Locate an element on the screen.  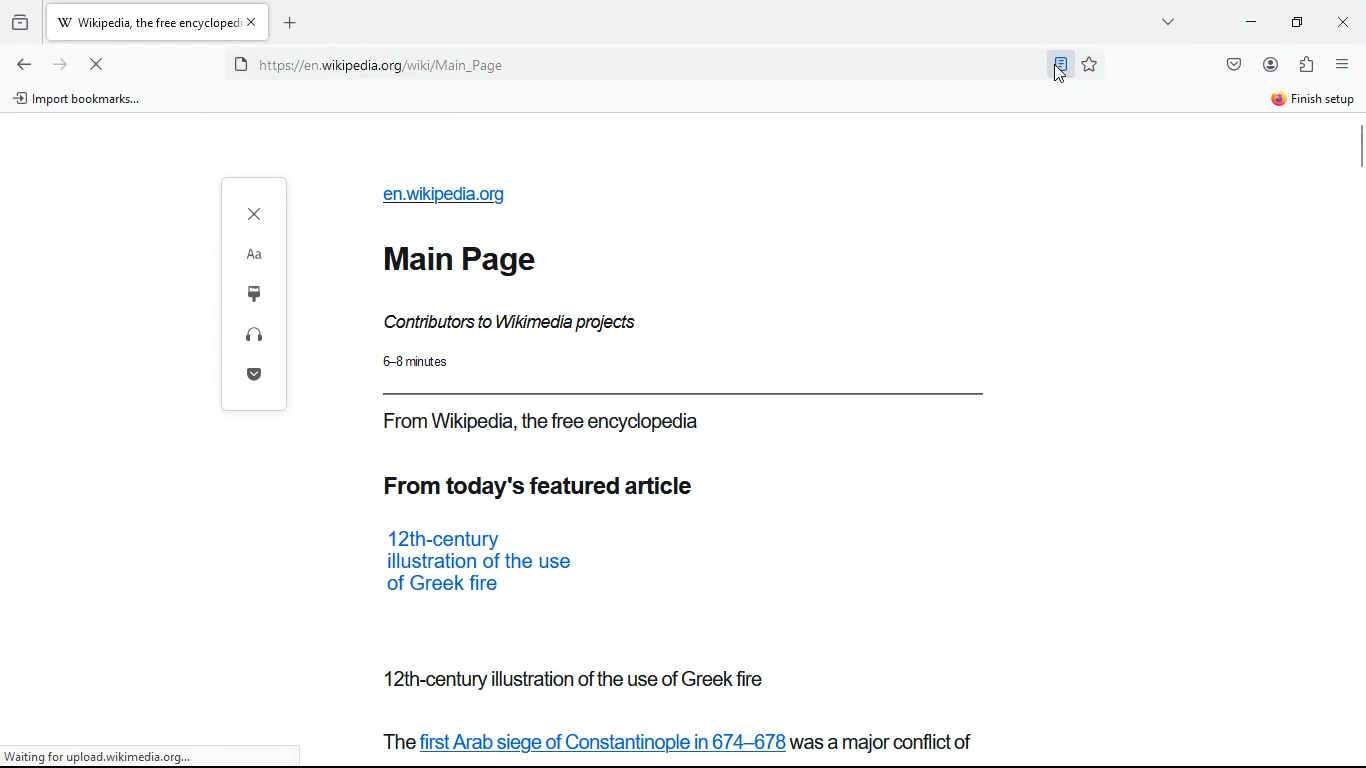
finish setup is located at coordinates (1308, 98).